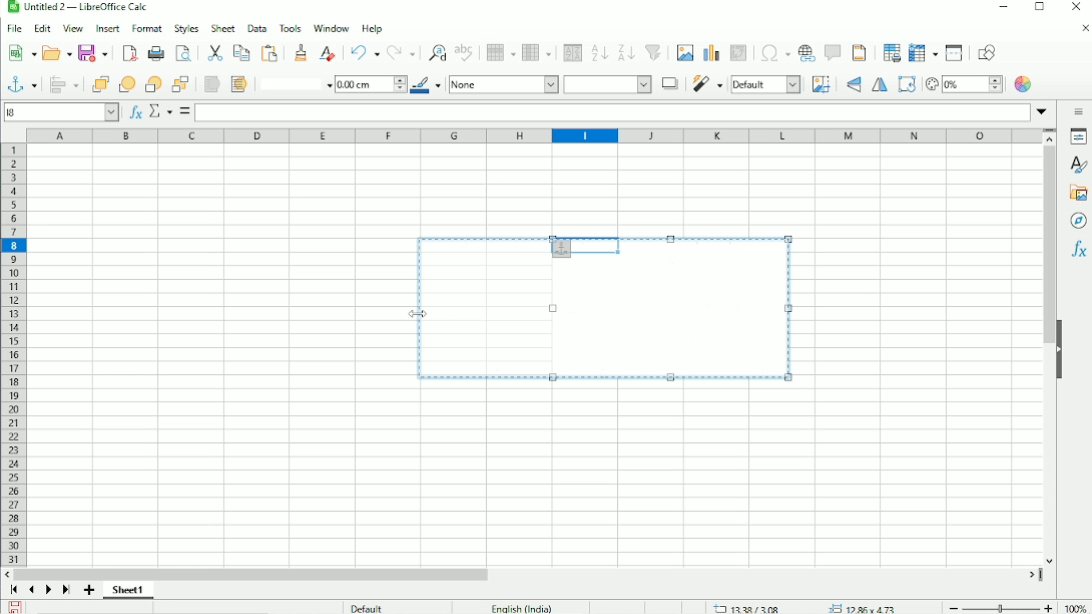  Describe the element at coordinates (427, 85) in the screenshot. I see `Line color` at that location.